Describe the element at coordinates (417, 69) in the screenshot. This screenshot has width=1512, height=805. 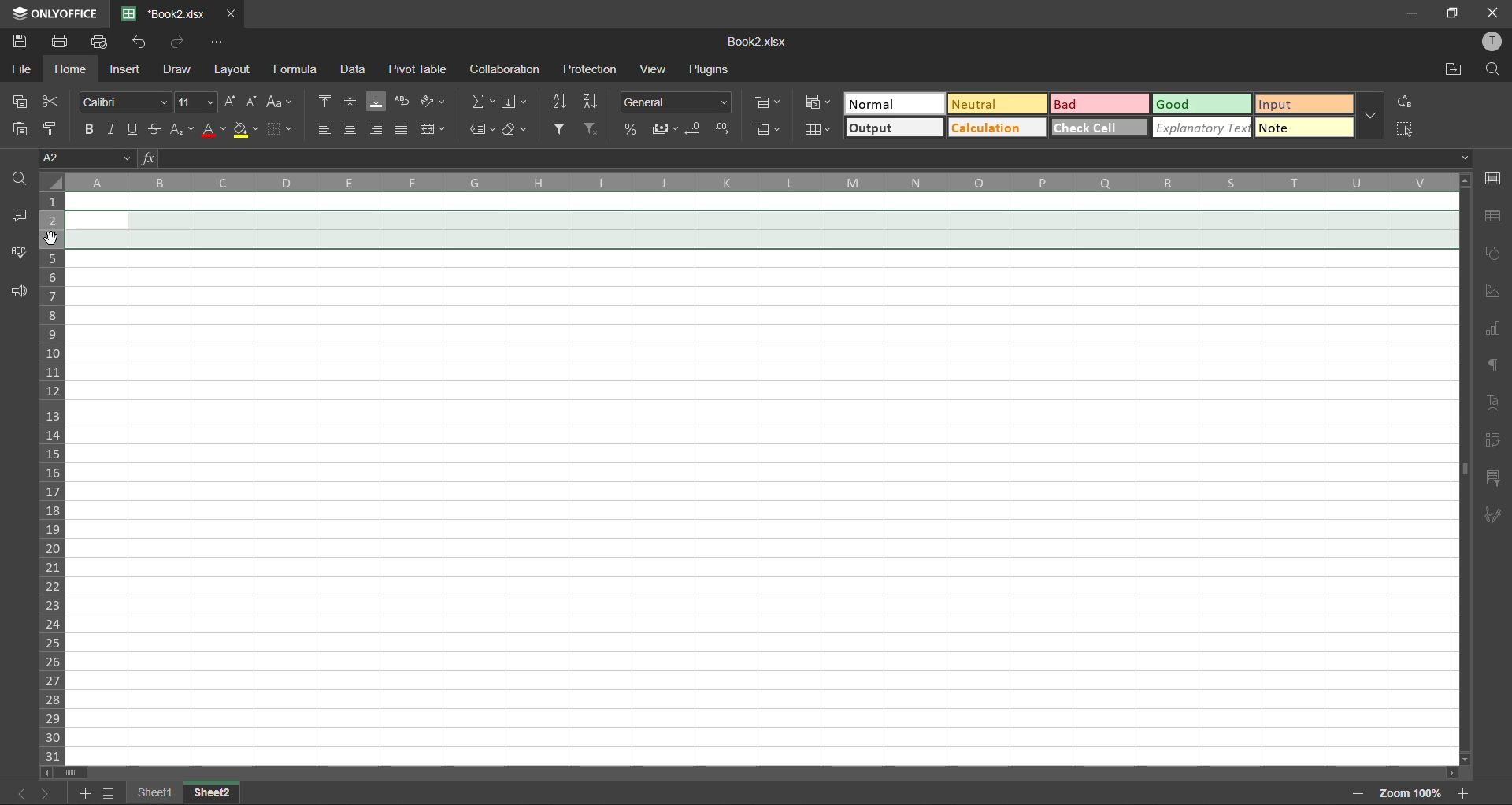
I see `pivot table` at that location.